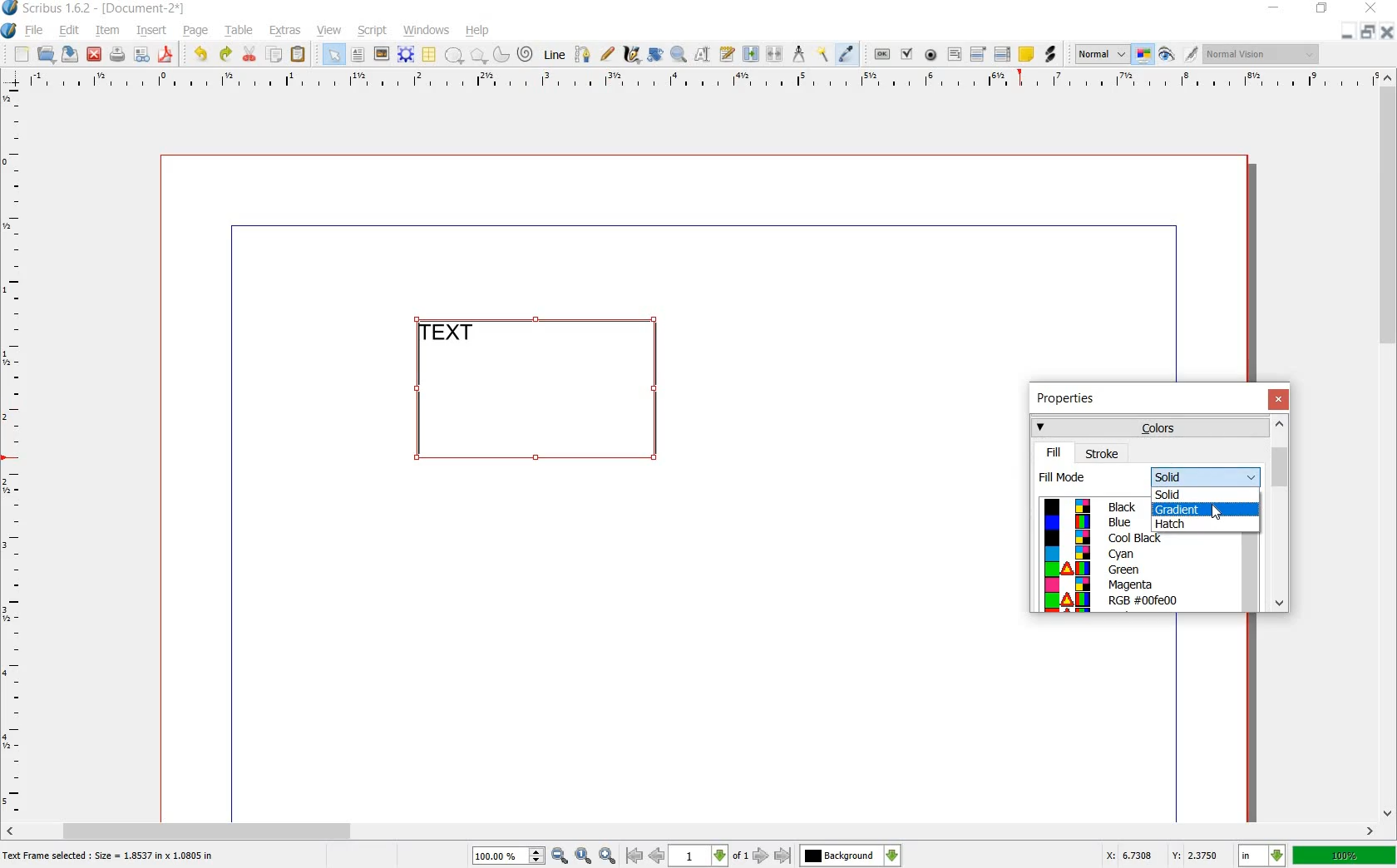  Describe the element at coordinates (22, 55) in the screenshot. I see `new` at that location.